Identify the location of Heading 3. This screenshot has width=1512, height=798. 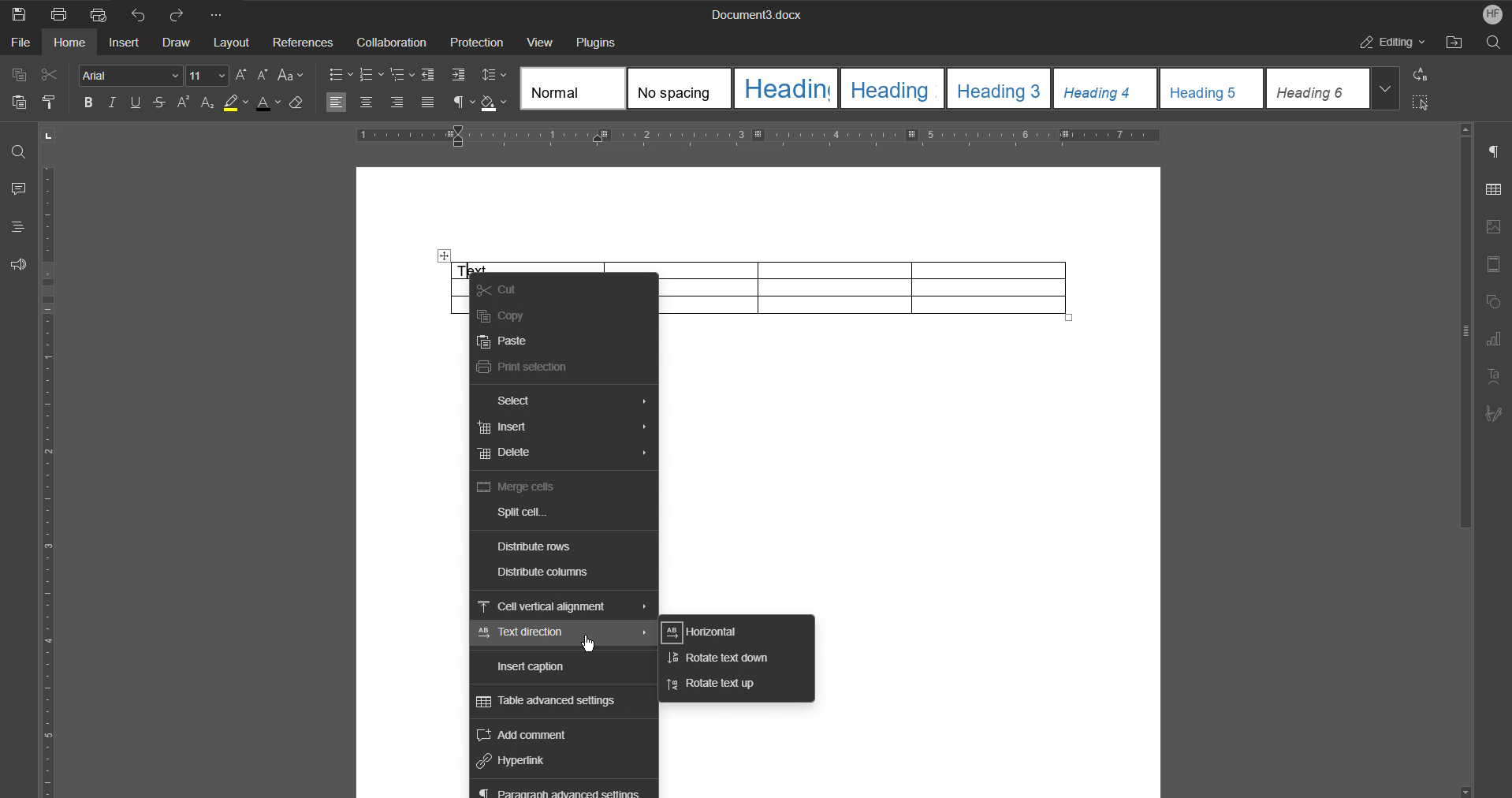
(999, 88).